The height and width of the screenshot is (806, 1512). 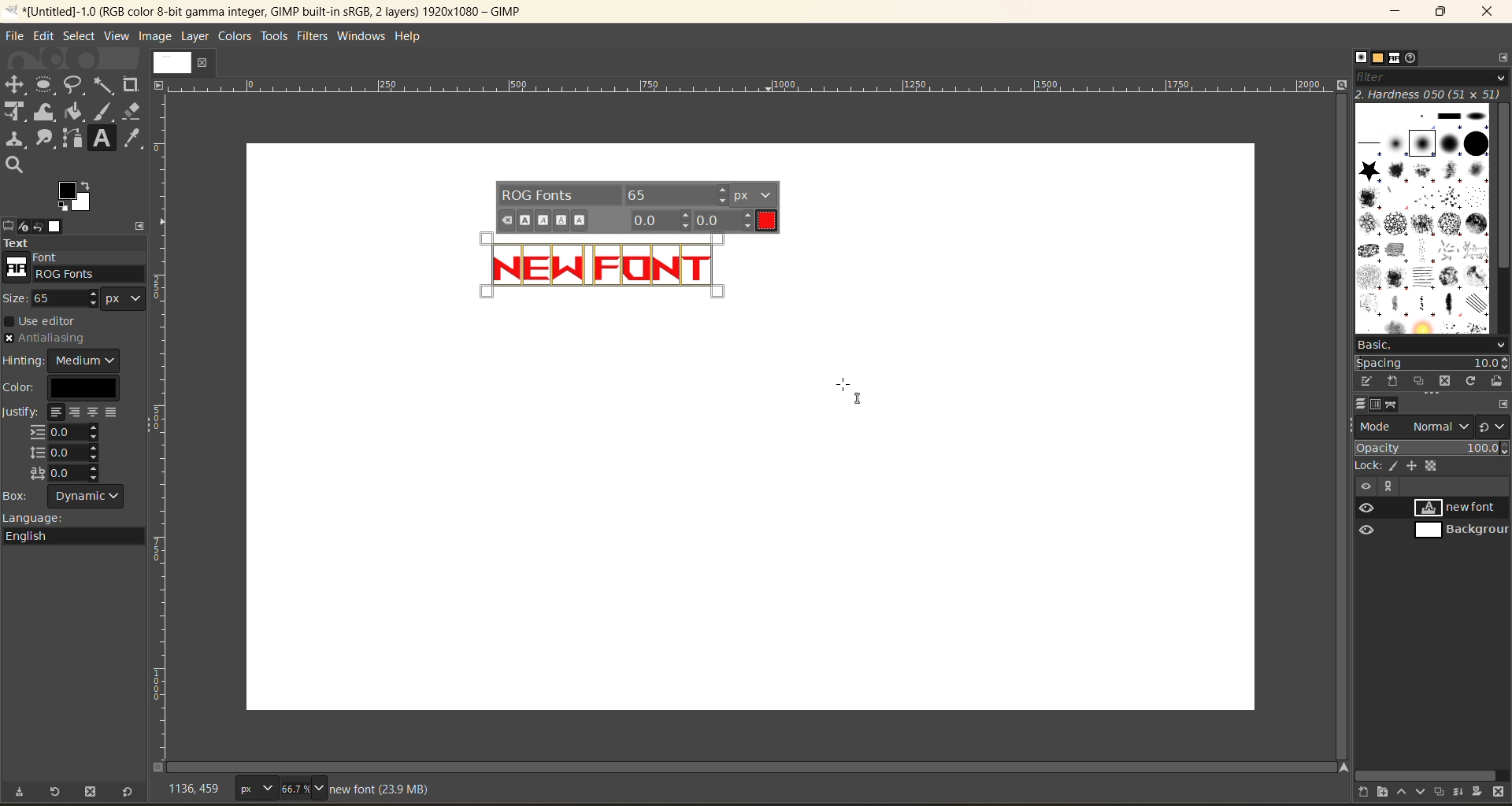 What do you see at coordinates (1462, 507) in the screenshot?
I see `new font` at bounding box center [1462, 507].